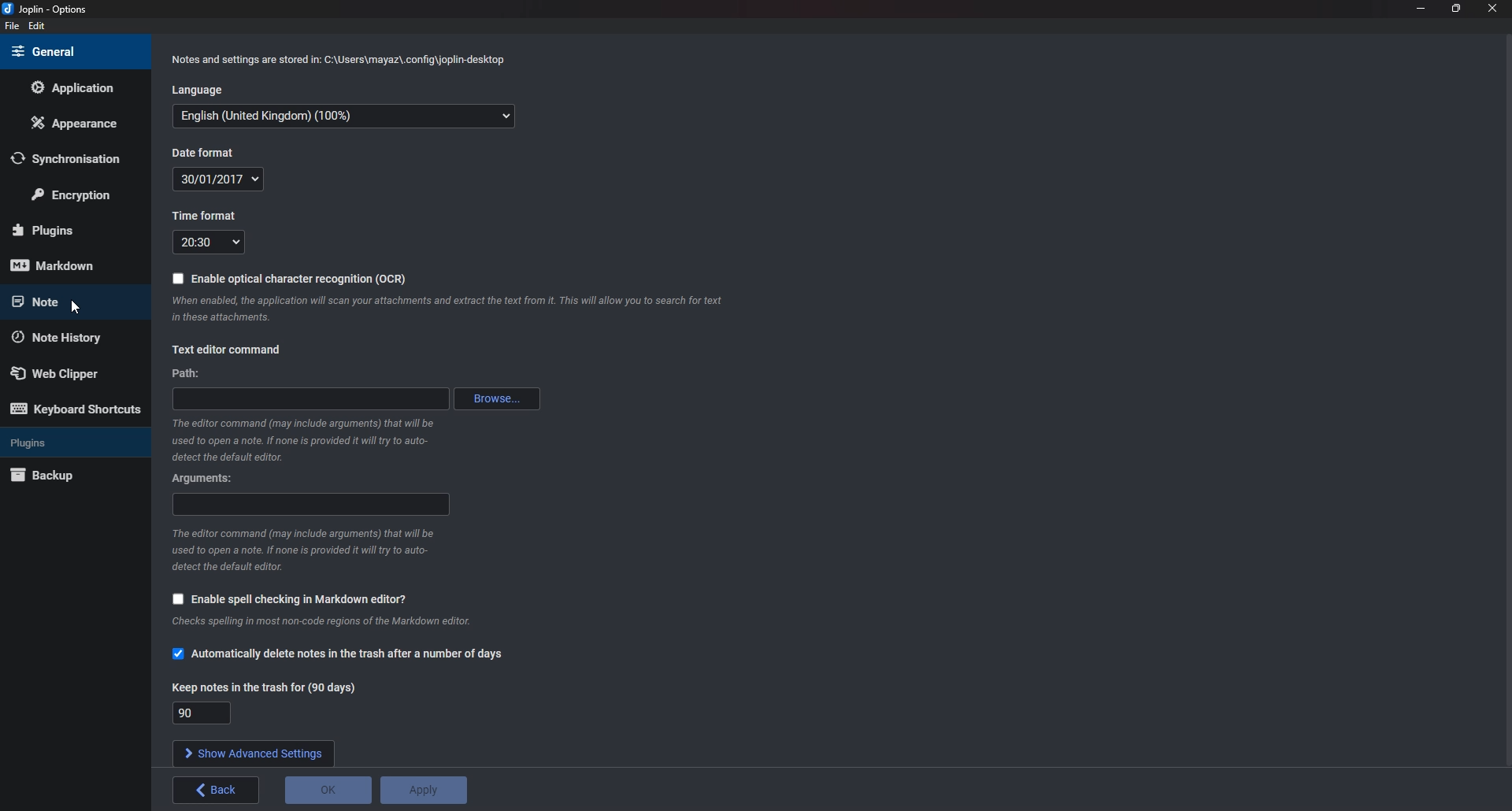 The image size is (1512, 811). I want to click on Info, so click(299, 548).